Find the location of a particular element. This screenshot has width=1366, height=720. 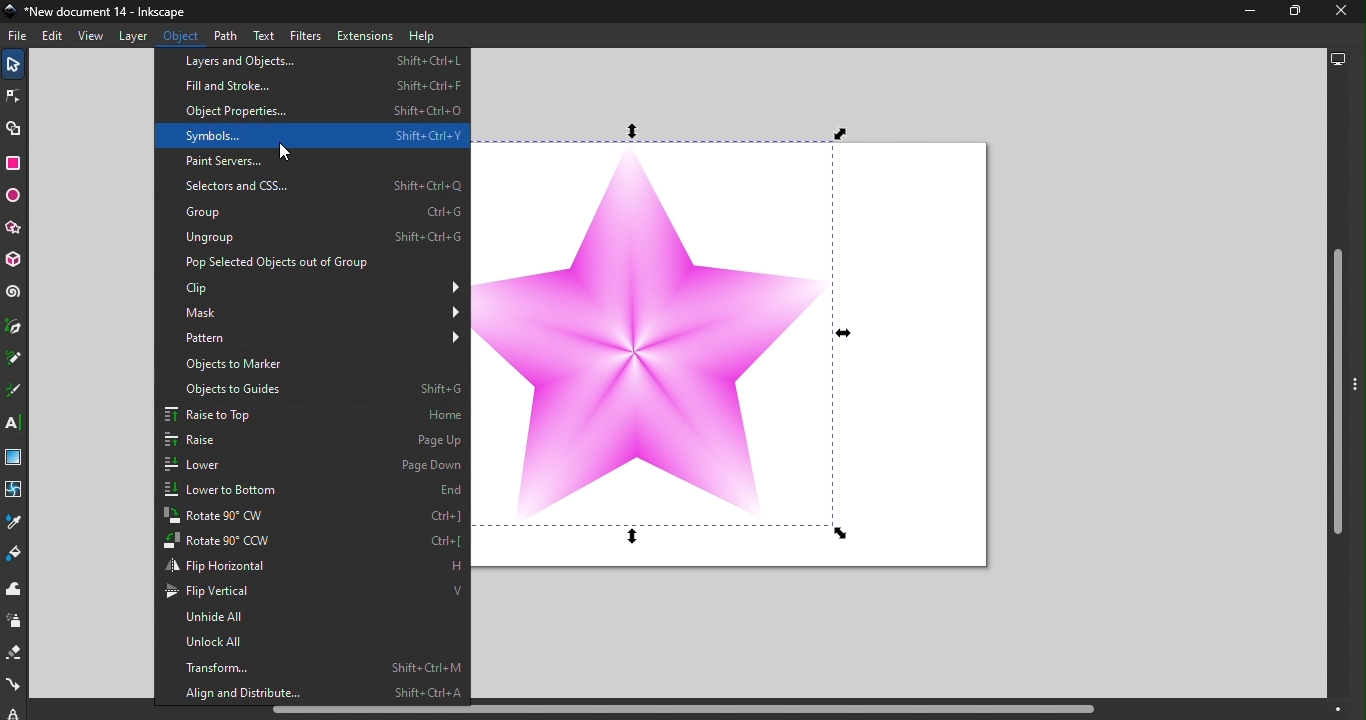

Layers and objects is located at coordinates (313, 62).